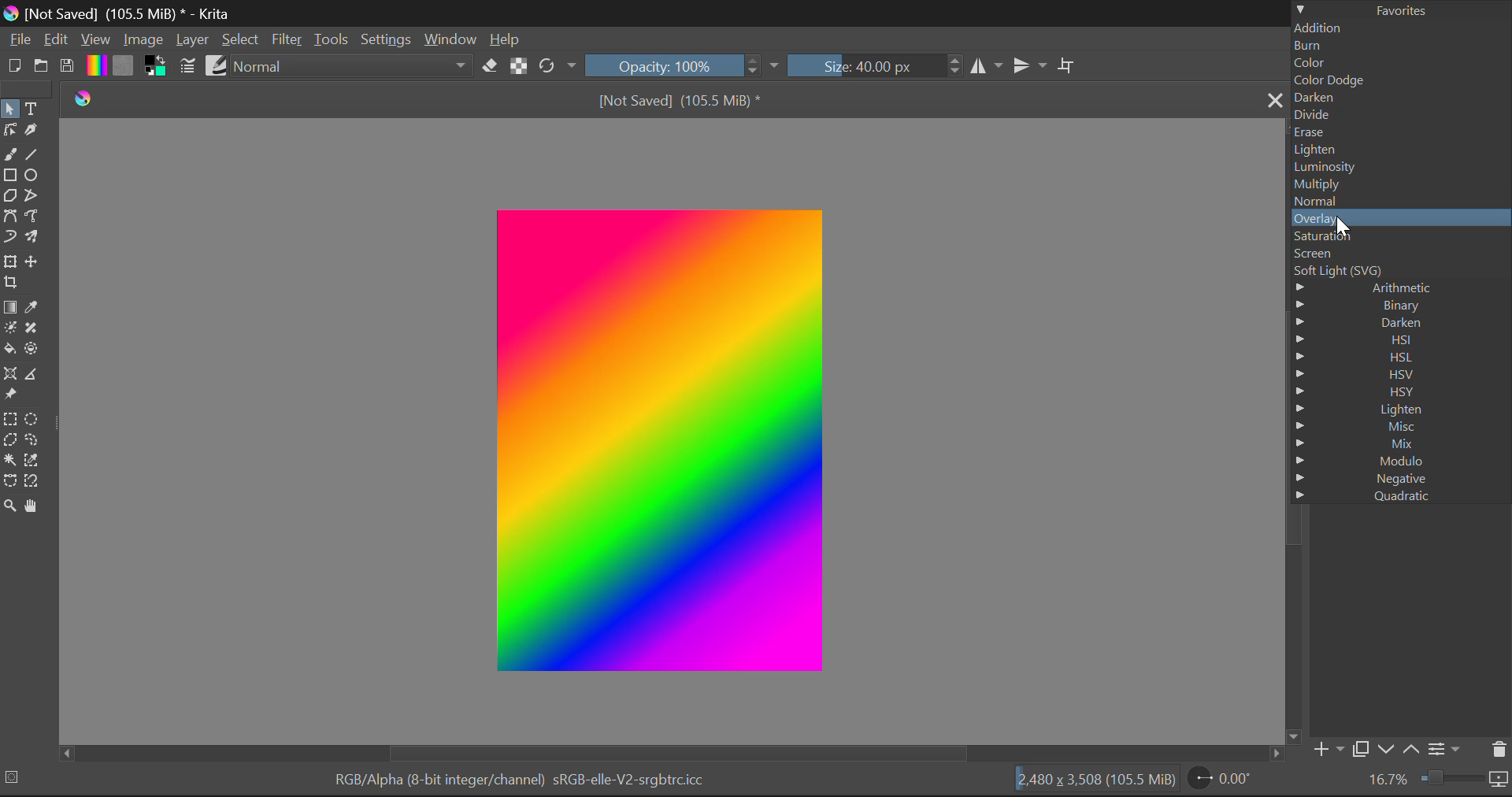 This screenshot has height=797, width=1512. Describe the element at coordinates (519, 69) in the screenshot. I see `Lock Alpha` at that location.